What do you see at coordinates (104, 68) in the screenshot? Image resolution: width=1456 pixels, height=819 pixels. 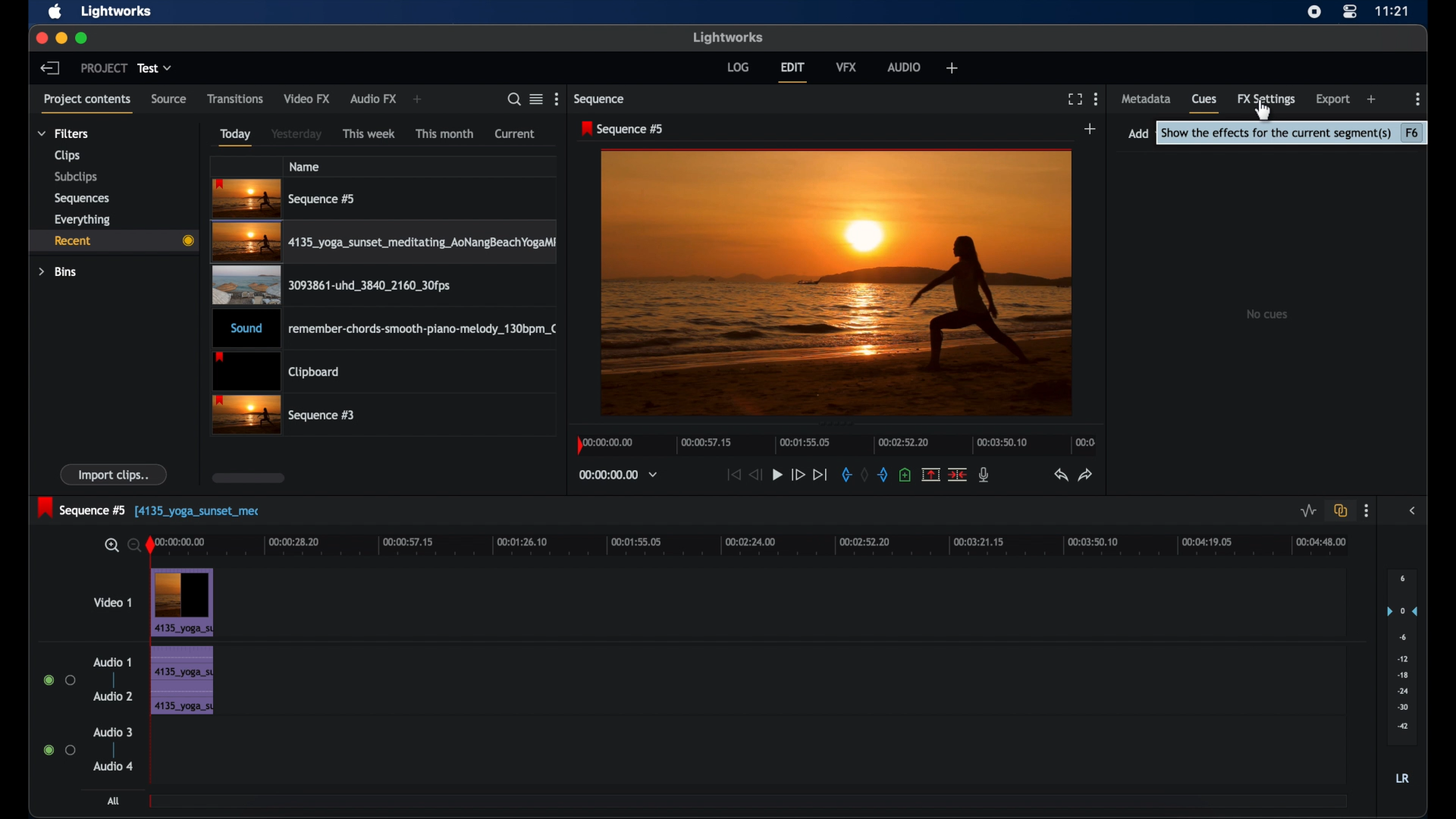 I see `project` at bounding box center [104, 68].